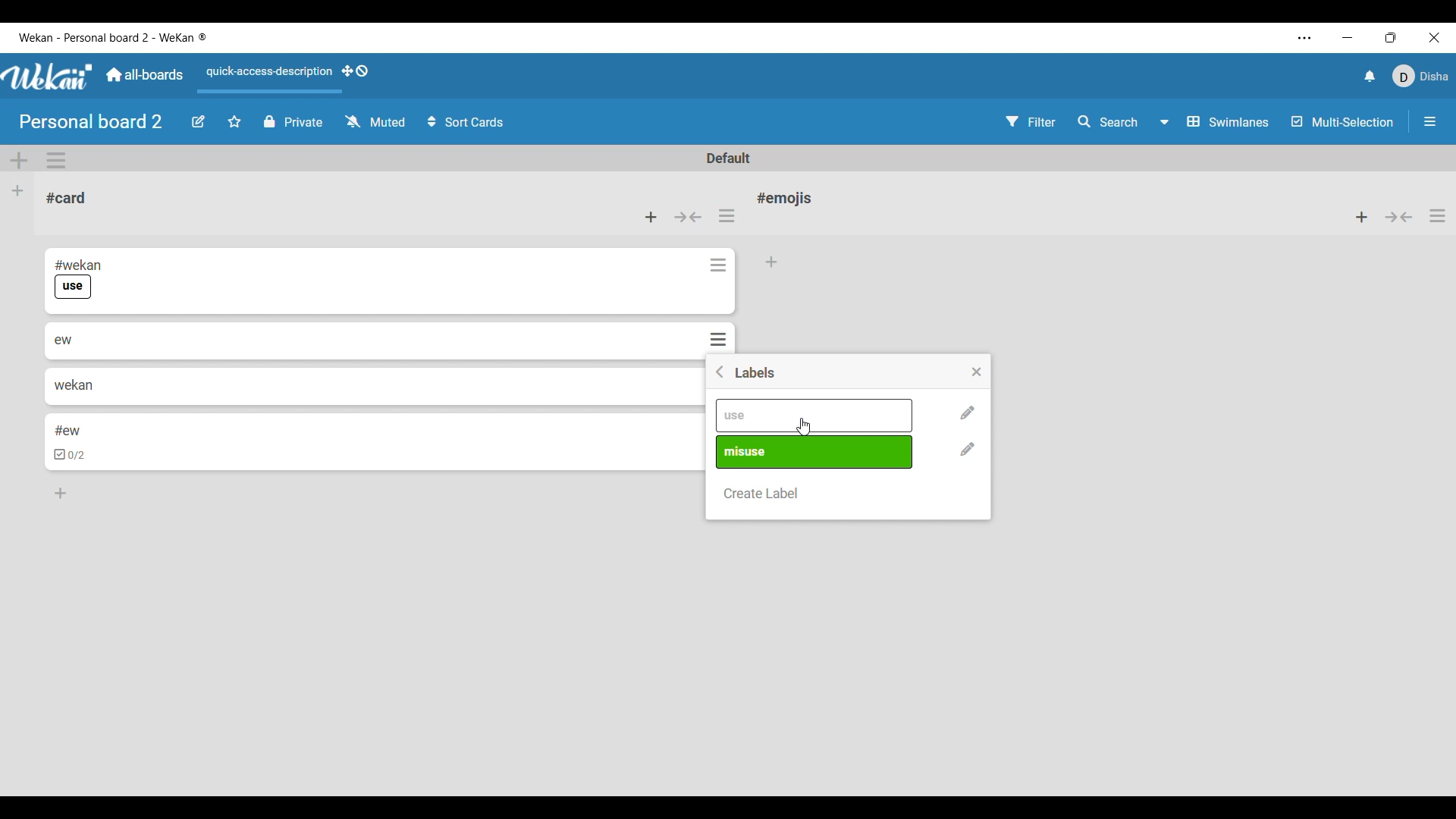  What do you see at coordinates (803, 427) in the screenshot?
I see `Cursor clicking on use label` at bounding box center [803, 427].